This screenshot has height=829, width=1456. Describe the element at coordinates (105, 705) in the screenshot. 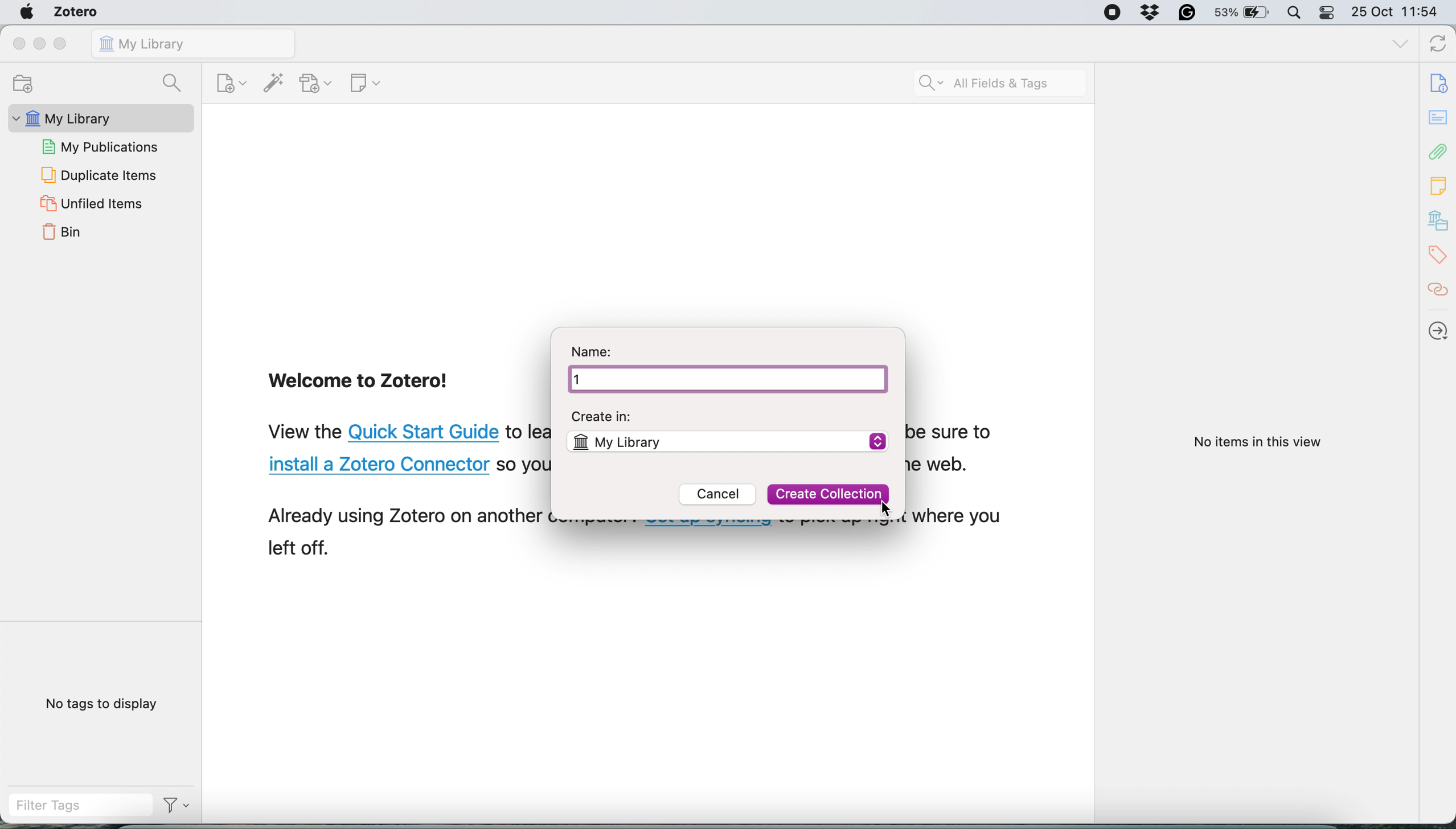

I see `No tags to display` at that location.